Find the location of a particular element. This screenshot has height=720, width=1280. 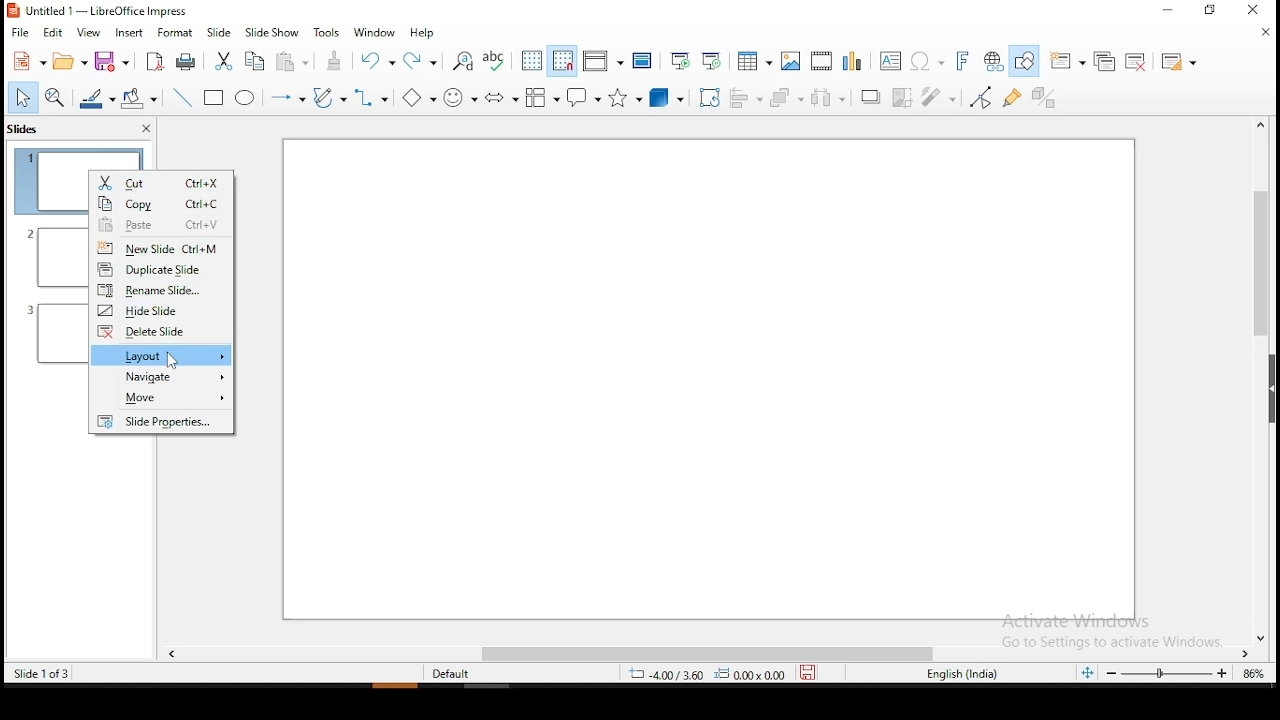

align objects is located at coordinates (746, 100).